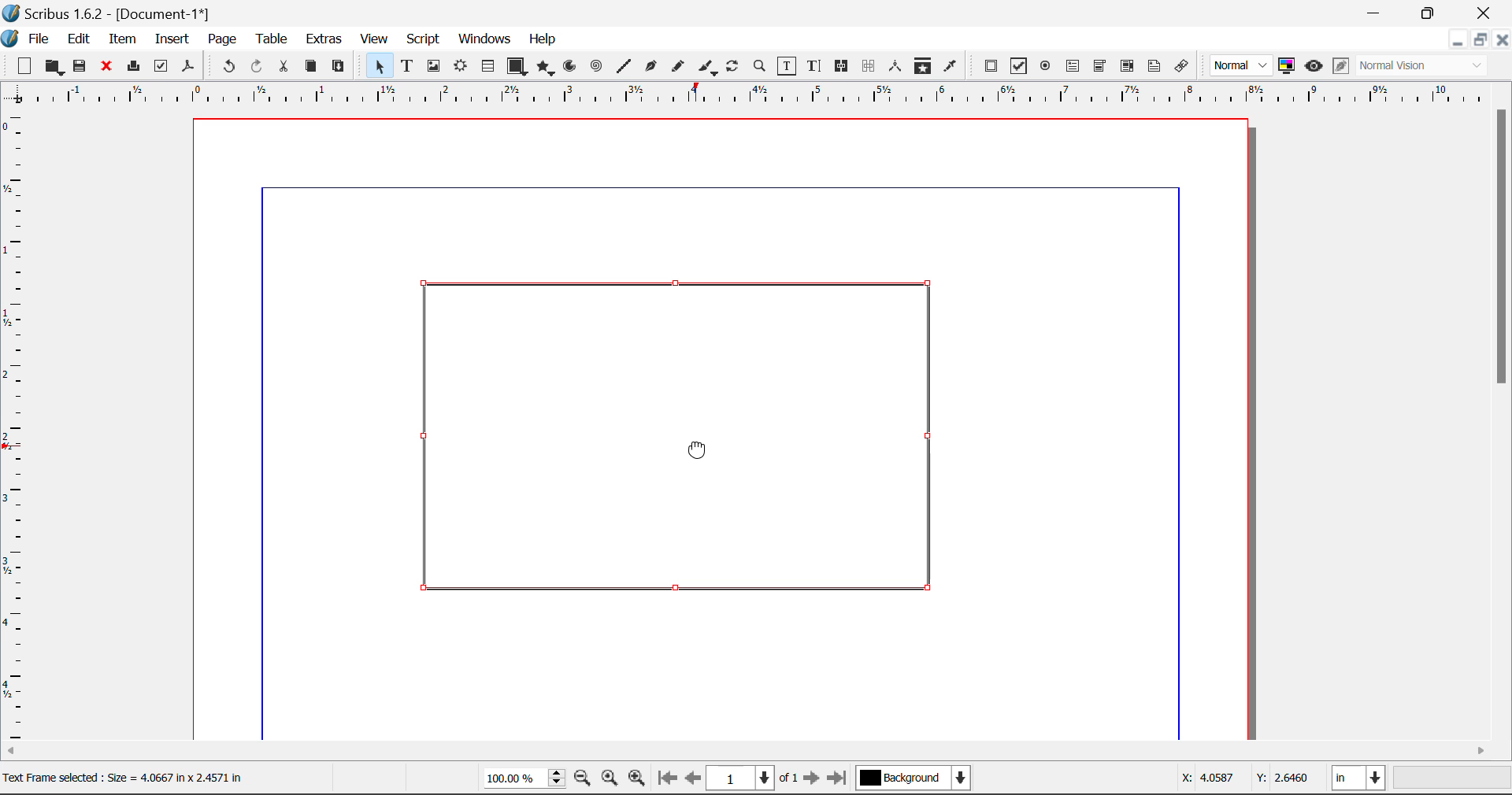 This screenshot has width=1512, height=795. I want to click on Close, so click(1485, 13).